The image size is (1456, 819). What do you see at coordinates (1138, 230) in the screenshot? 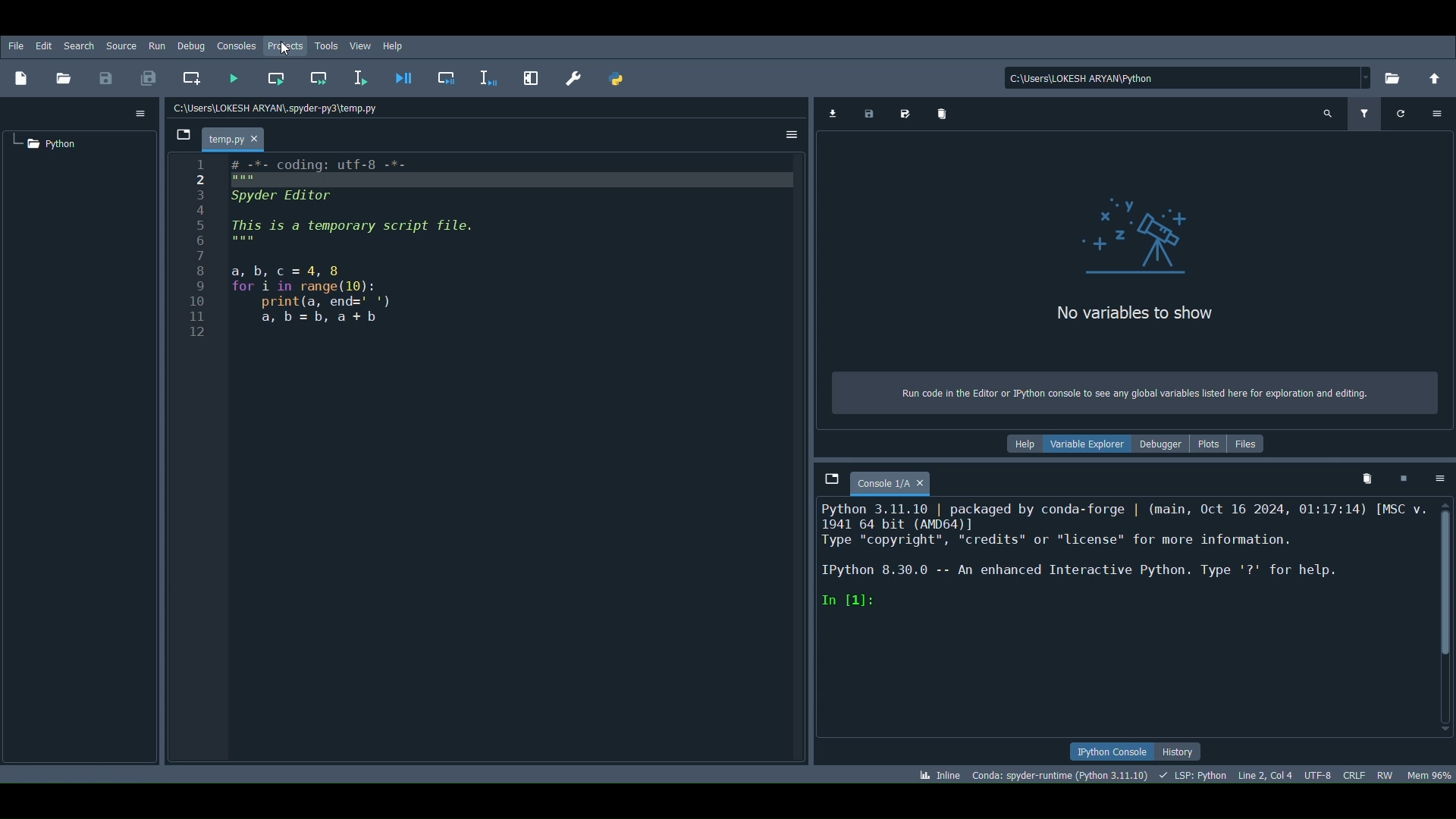
I see `Explorer` at bounding box center [1138, 230].